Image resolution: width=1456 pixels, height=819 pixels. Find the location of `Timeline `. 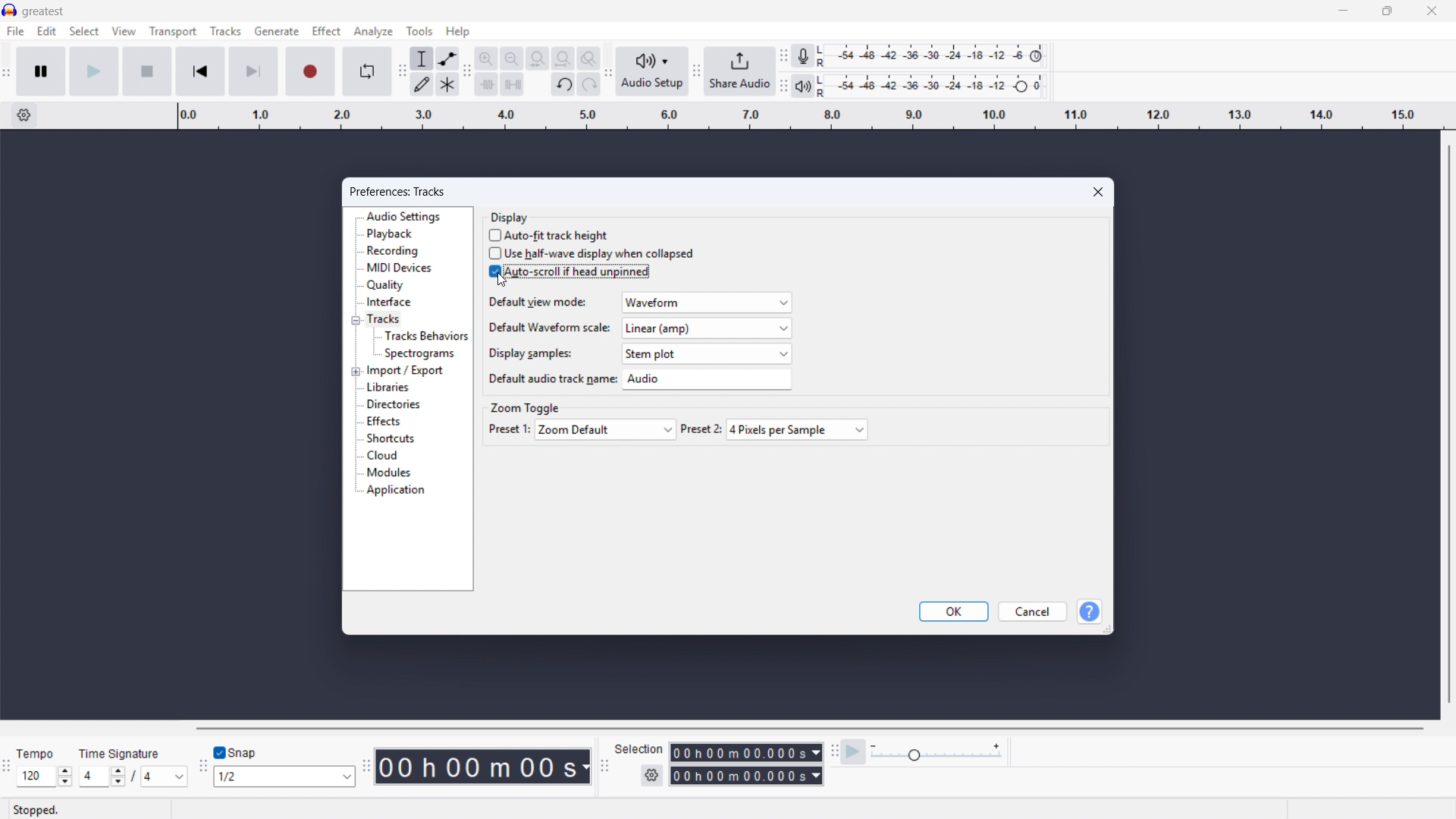

Timeline  is located at coordinates (810, 115).